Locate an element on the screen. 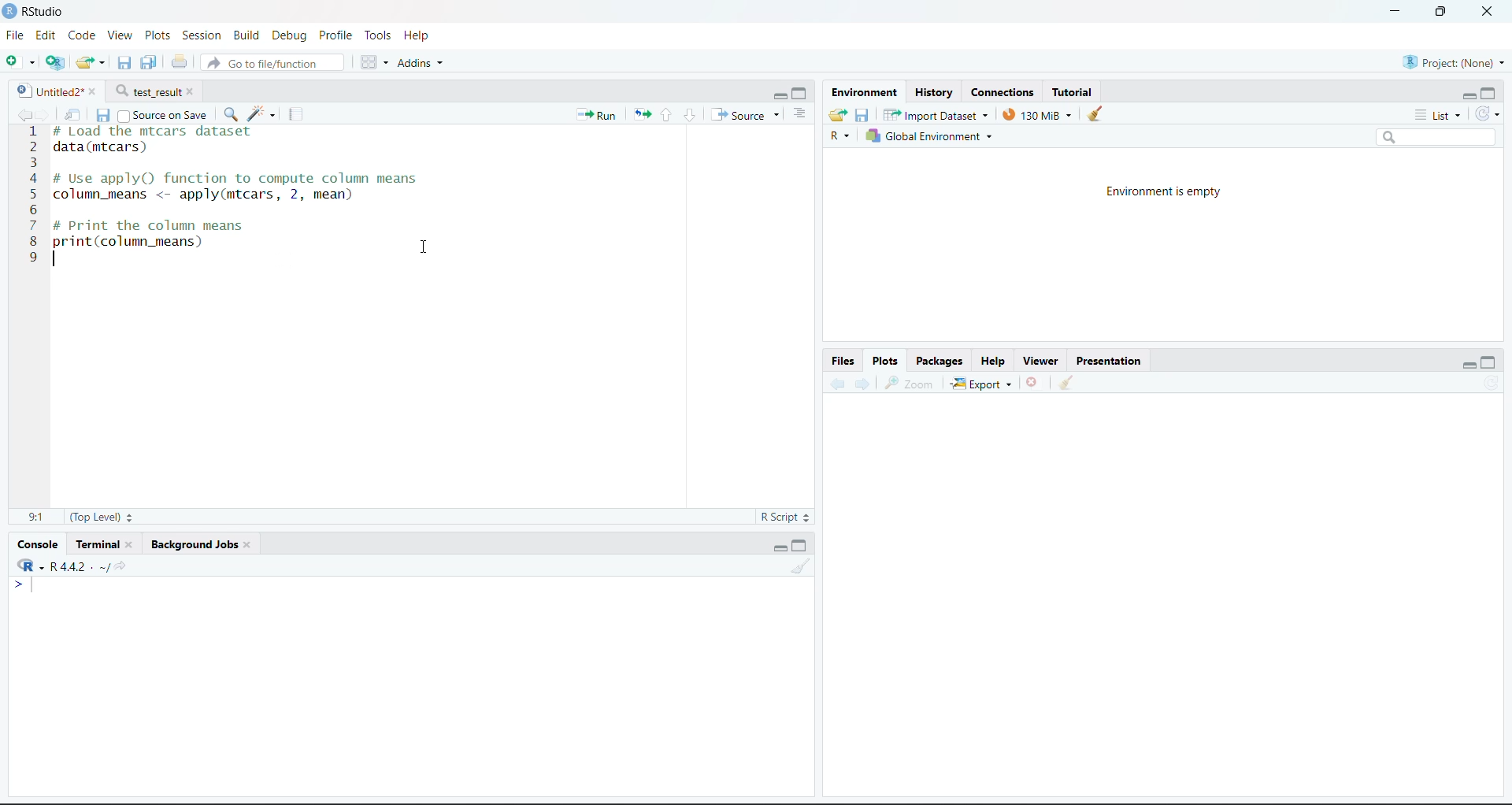  List is located at coordinates (1437, 114).